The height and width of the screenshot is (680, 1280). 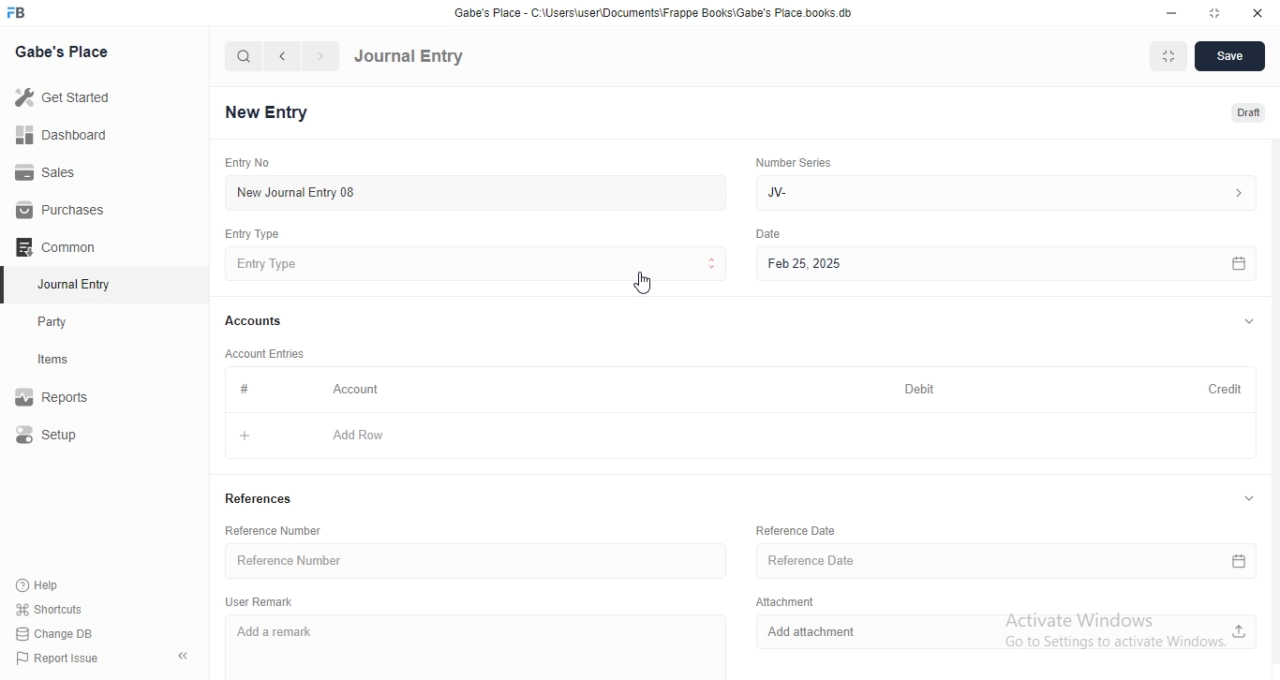 What do you see at coordinates (277, 529) in the screenshot?
I see `Reference Number` at bounding box center [277, 529].